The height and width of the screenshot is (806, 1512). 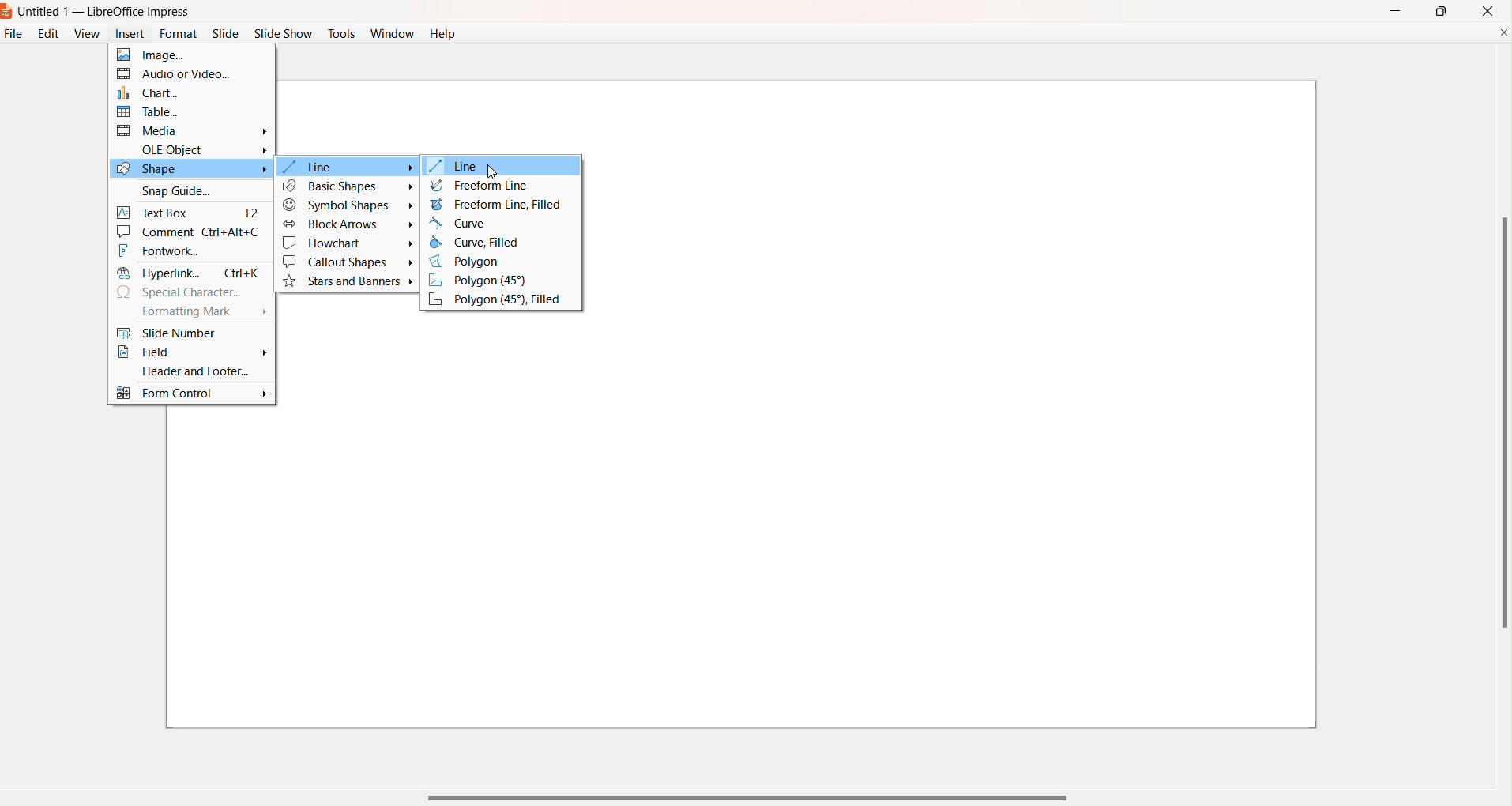 What do you see at coordinates (106, 13) in the screenshot?
I see `Untitled 1 - LibreOffice Impress` at bounding box center [106, 13].